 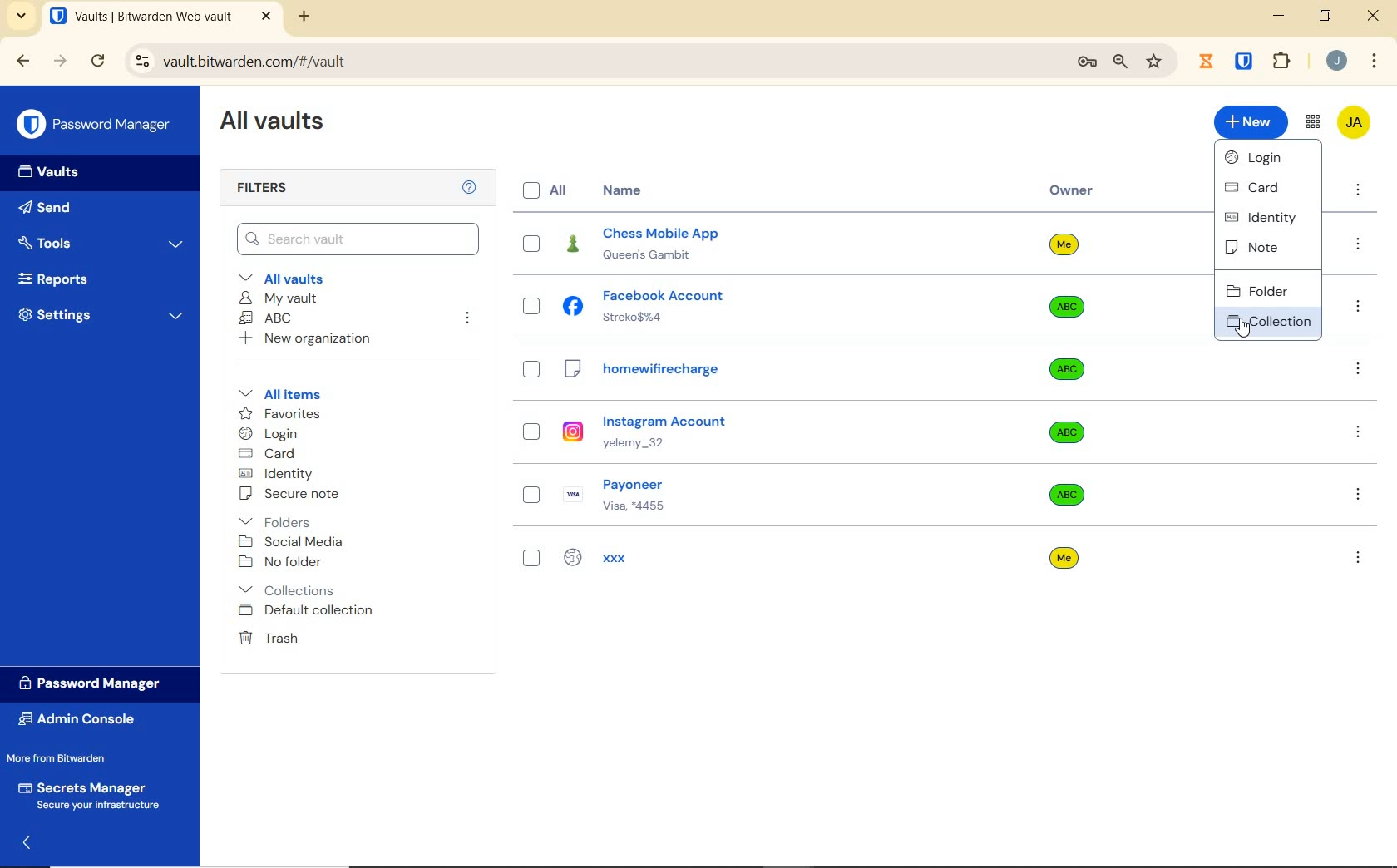 I want to click on note, so click(x=1261, y=249).